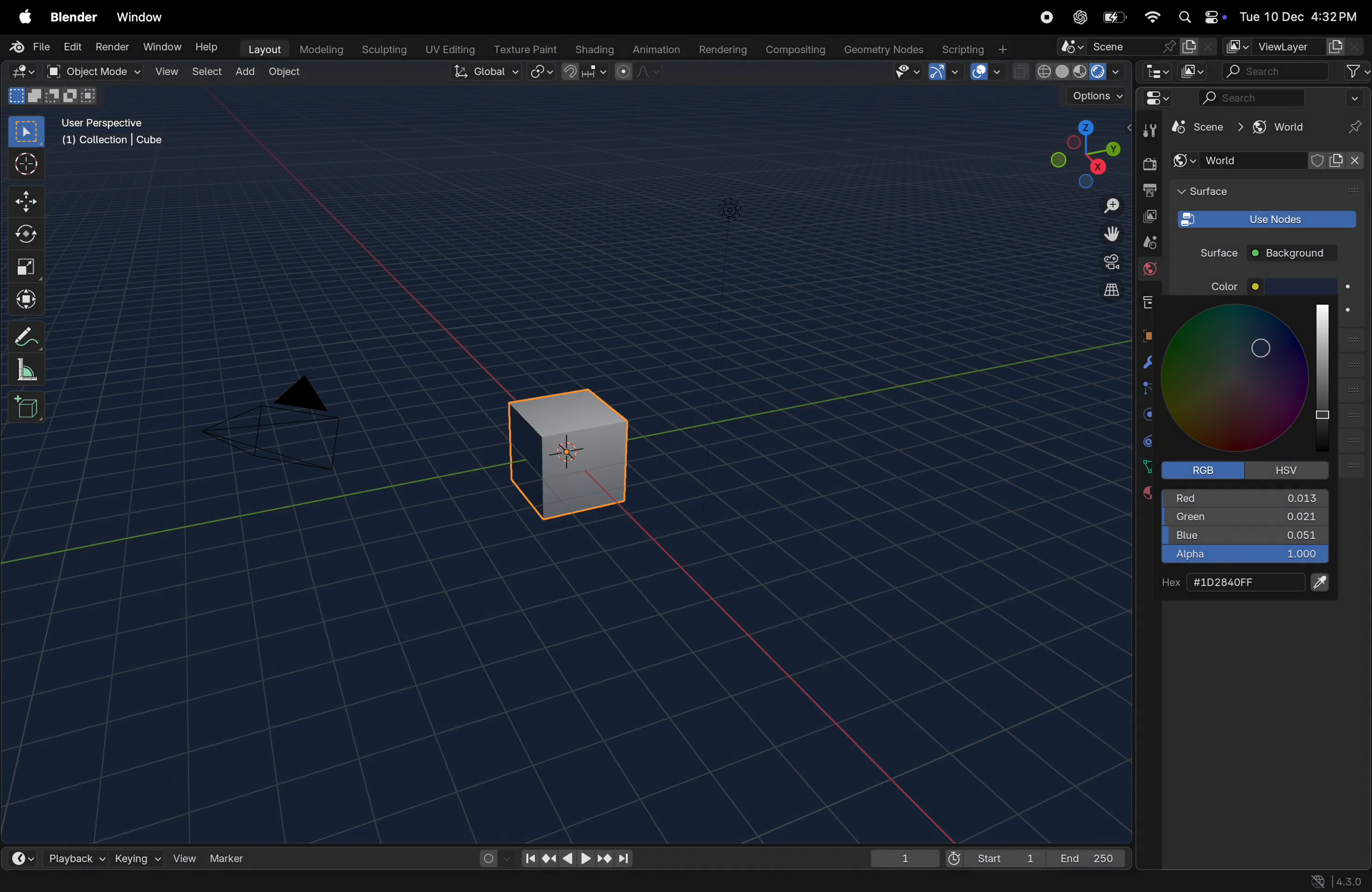 This screenshot has height=892, width=1372. What do you see at coordinates (1148, 164) in the screenshot?
I see `render` at bounding box center [1148, 164].